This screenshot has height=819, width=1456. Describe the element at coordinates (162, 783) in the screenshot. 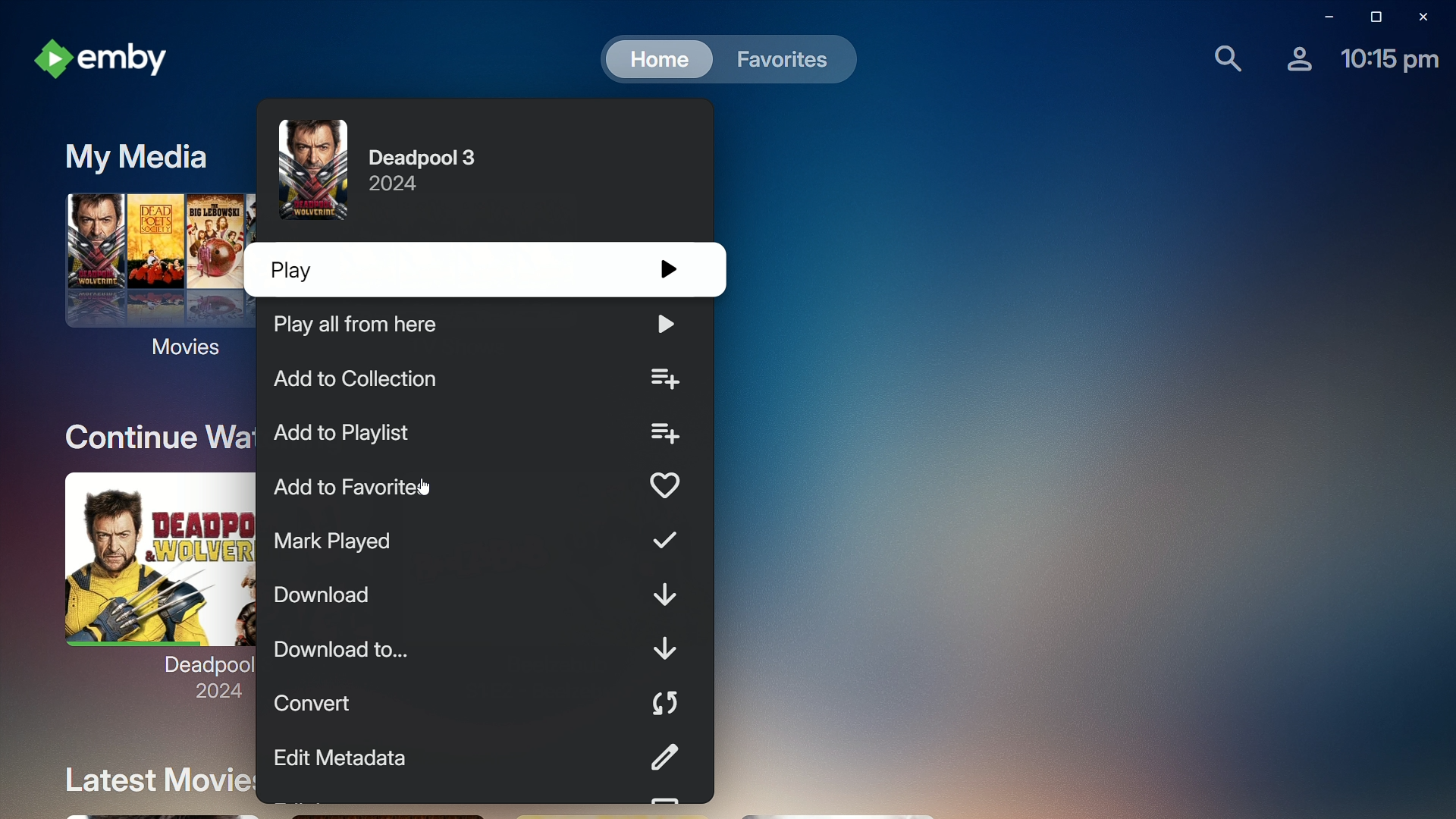

I see `Latest Movies` at that location.